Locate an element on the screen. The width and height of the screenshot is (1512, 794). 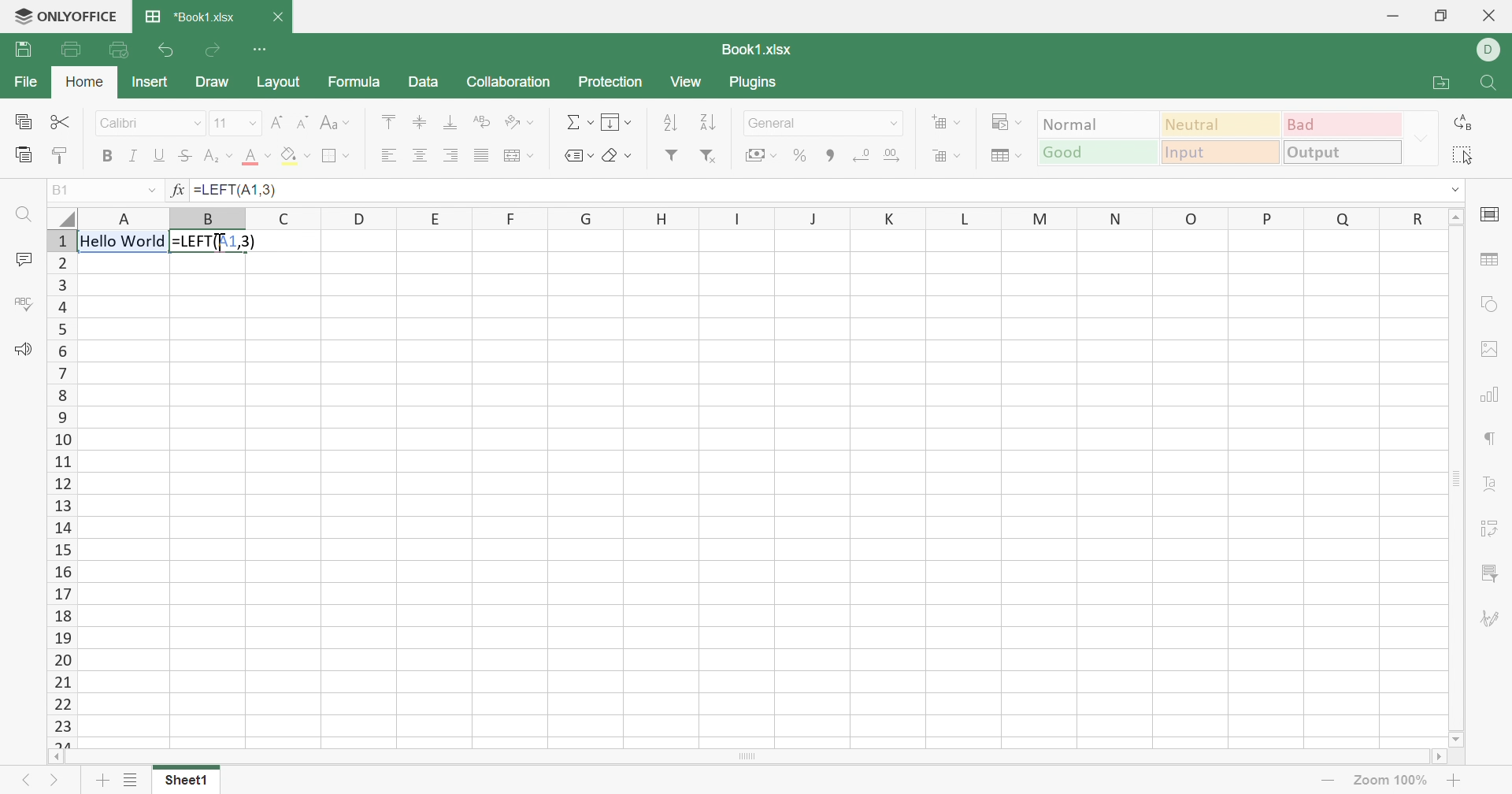
Redo is located at coordinates (212, 52).